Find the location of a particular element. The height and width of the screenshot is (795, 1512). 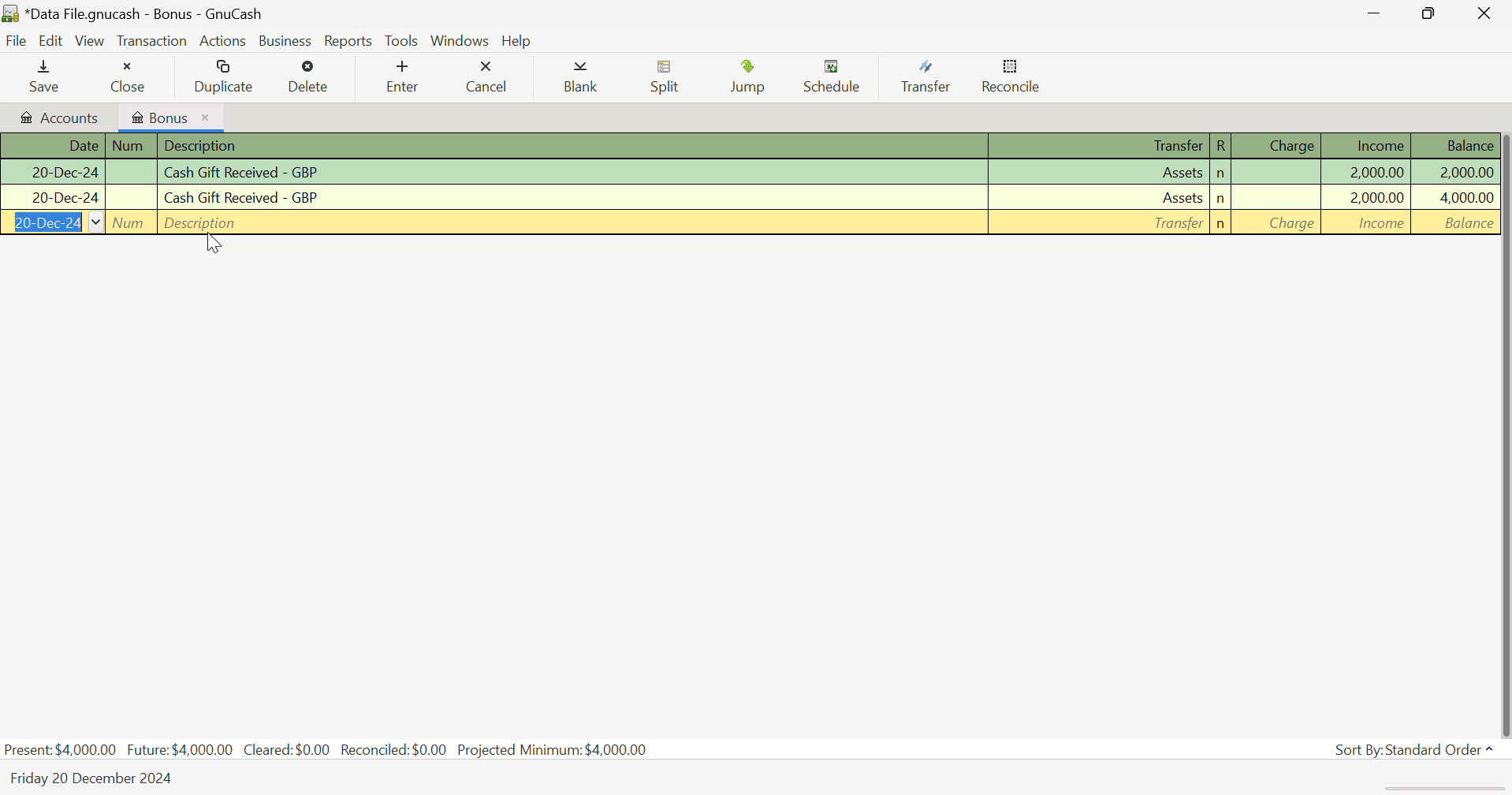

Assets is located at coordinates (1101, 174).